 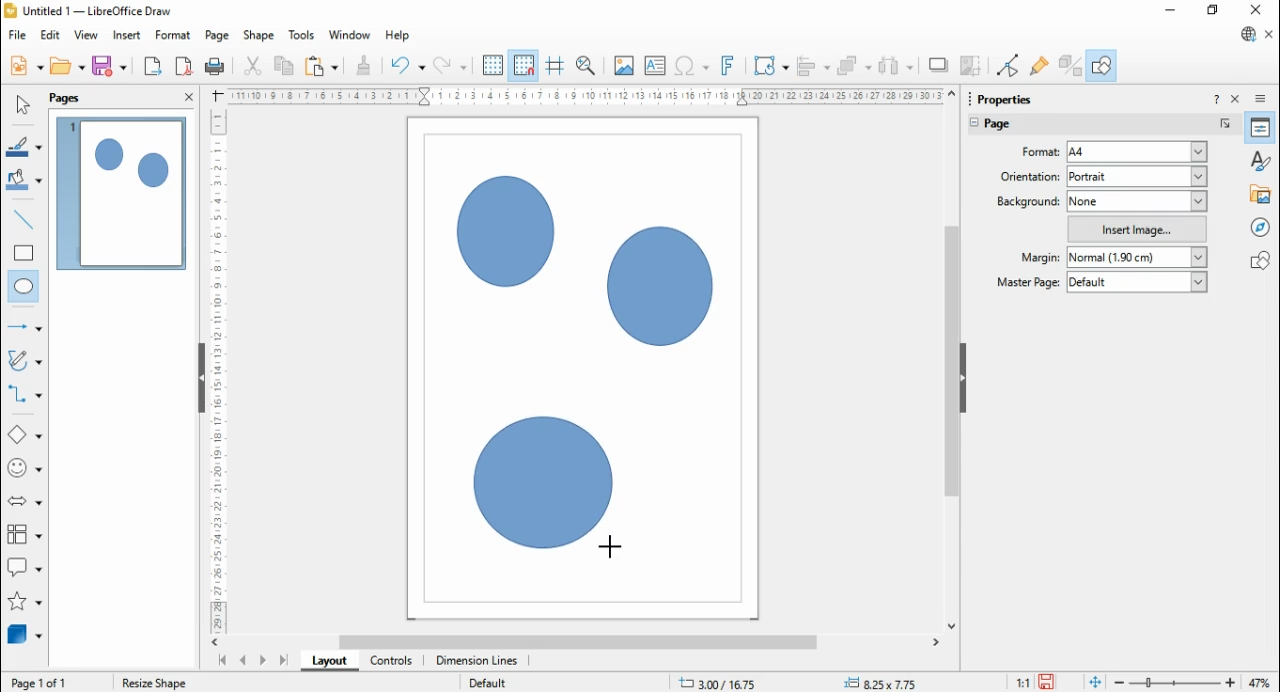 I want to click on minimize, so click(x=1172, y=10).